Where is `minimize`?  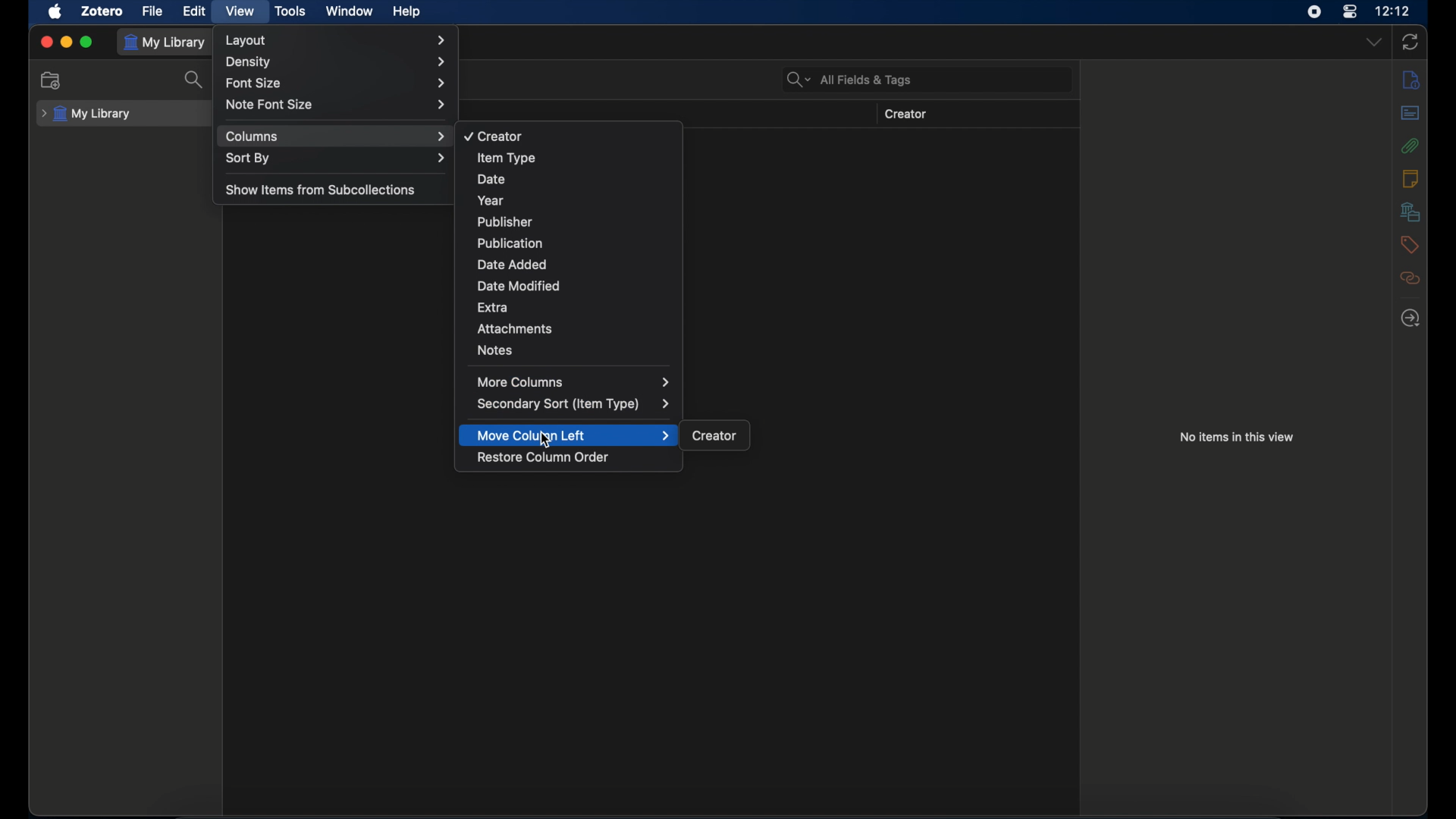
minimize is located at coordinates (67, 42).